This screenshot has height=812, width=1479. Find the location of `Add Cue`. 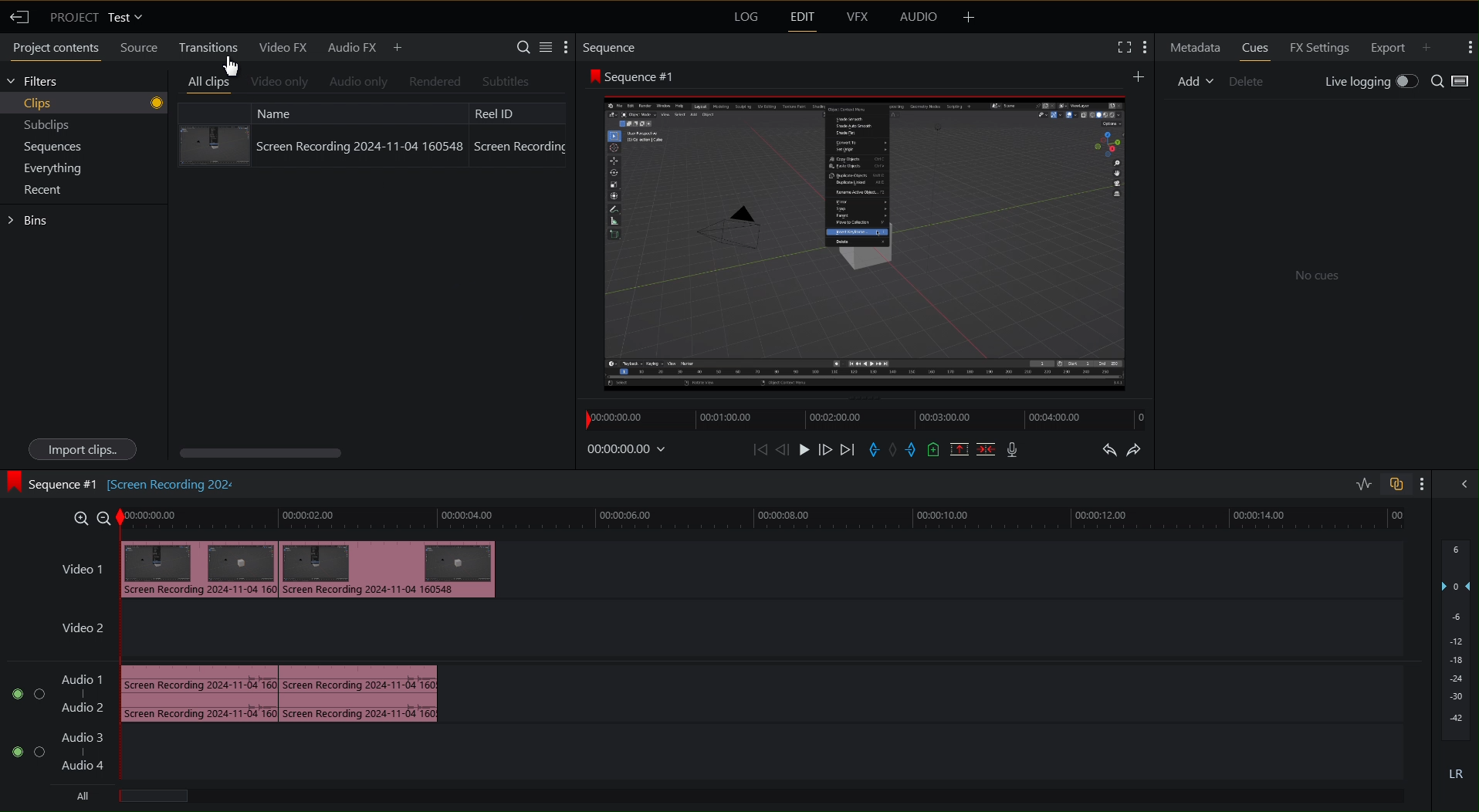

Add Cue is located at coordinates (932, 451).